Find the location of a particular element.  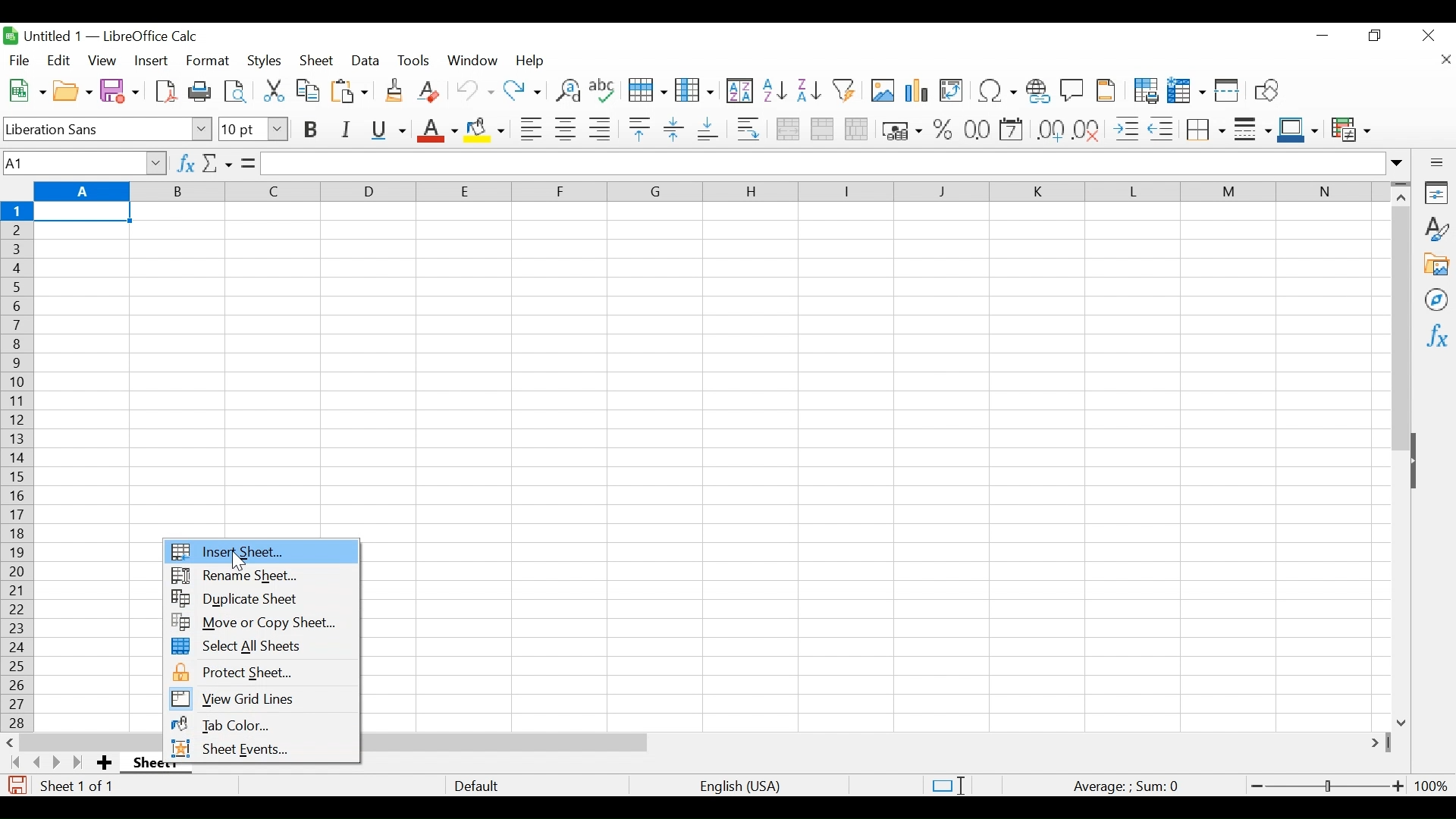

File is located at coordinates (21, 60).